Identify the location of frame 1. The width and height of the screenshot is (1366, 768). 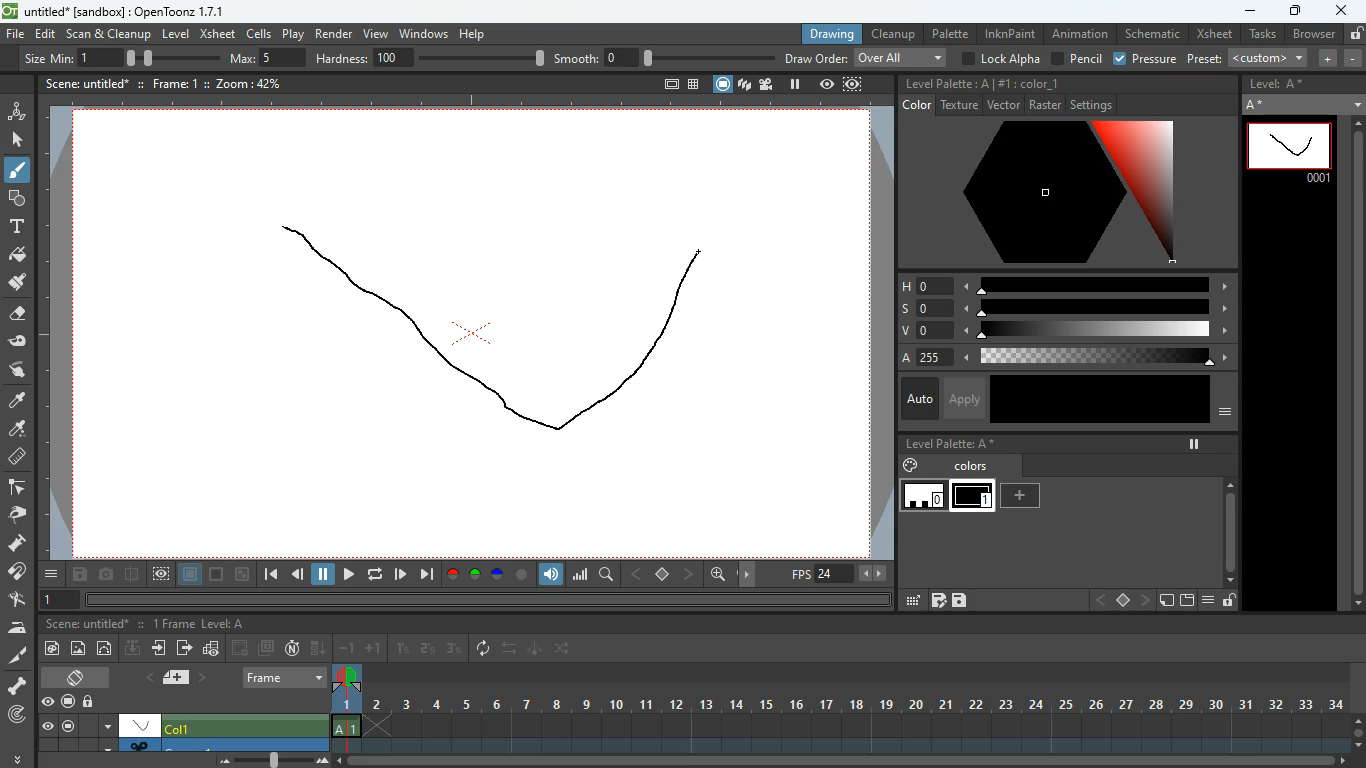
(973, 498).